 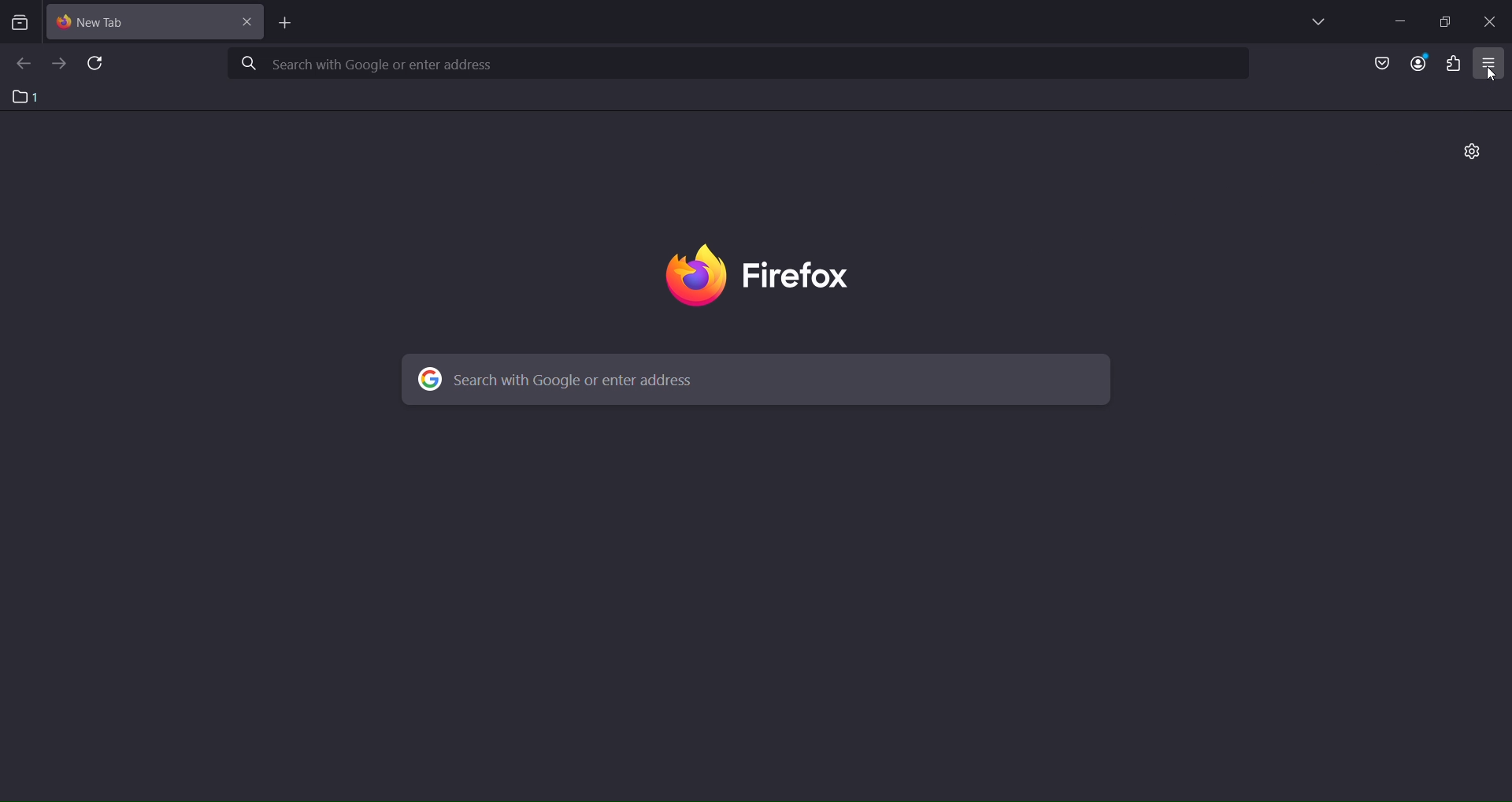 What do you see at coordinates (285, 24) in the screenshot?
I see `new tab` at bounding box center [285, 24].